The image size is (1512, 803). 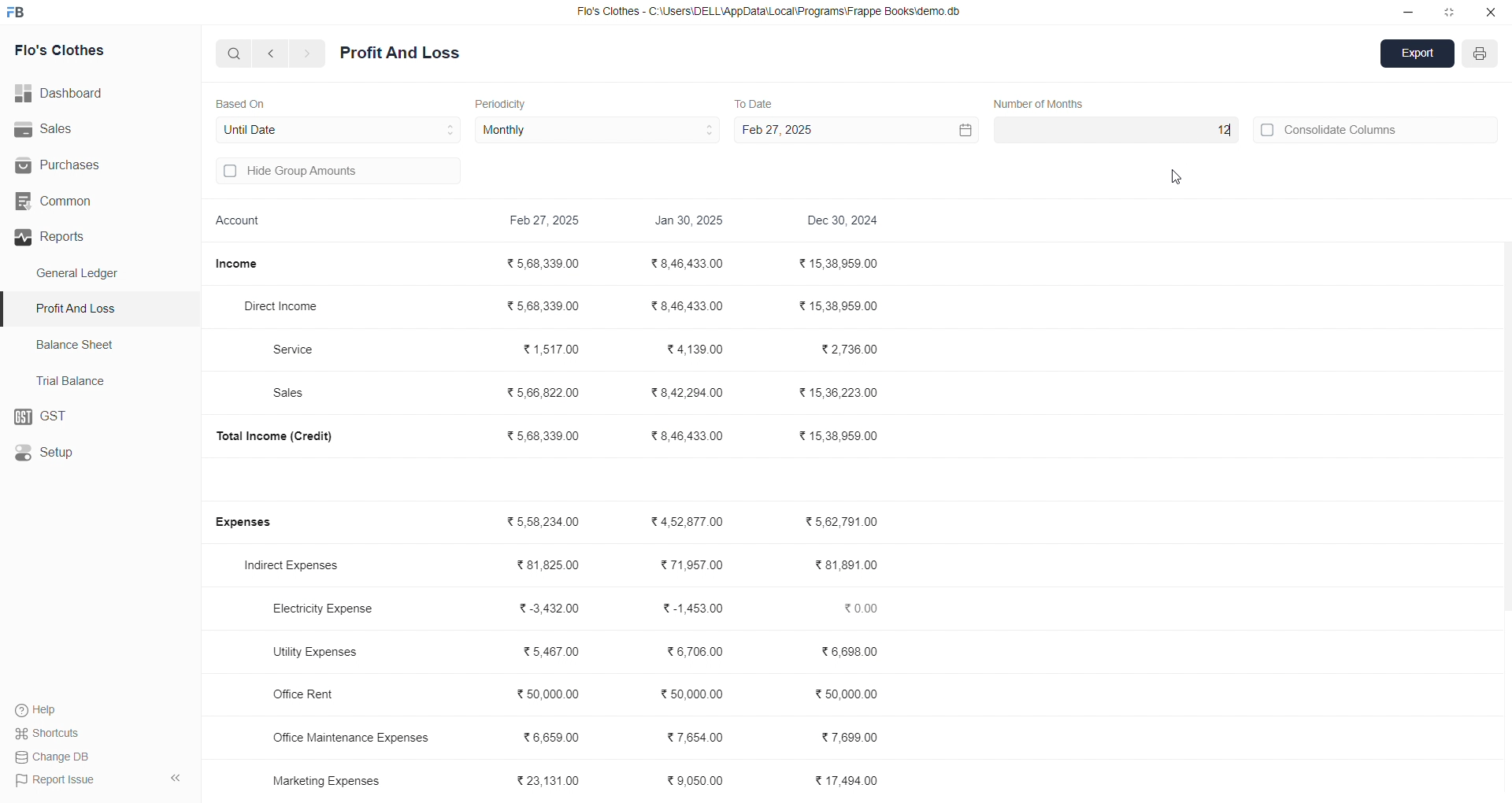 What do you see at coordinates (847, 565) in the screenshot?
I see `₹81,891.00` at bounding box center [847, 565].